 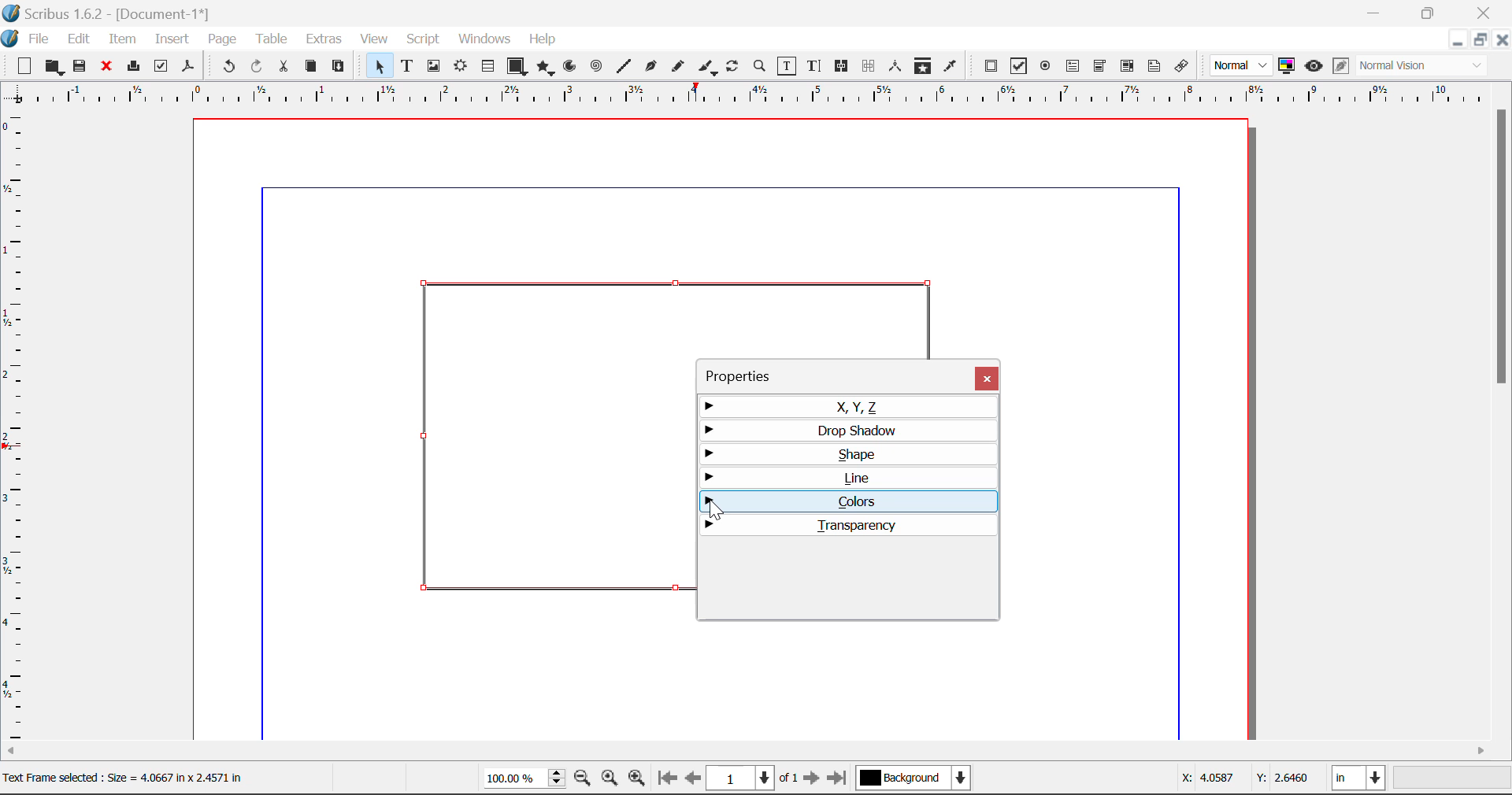 I want to click on Scroll Bar, so click(x=1503, y=420).